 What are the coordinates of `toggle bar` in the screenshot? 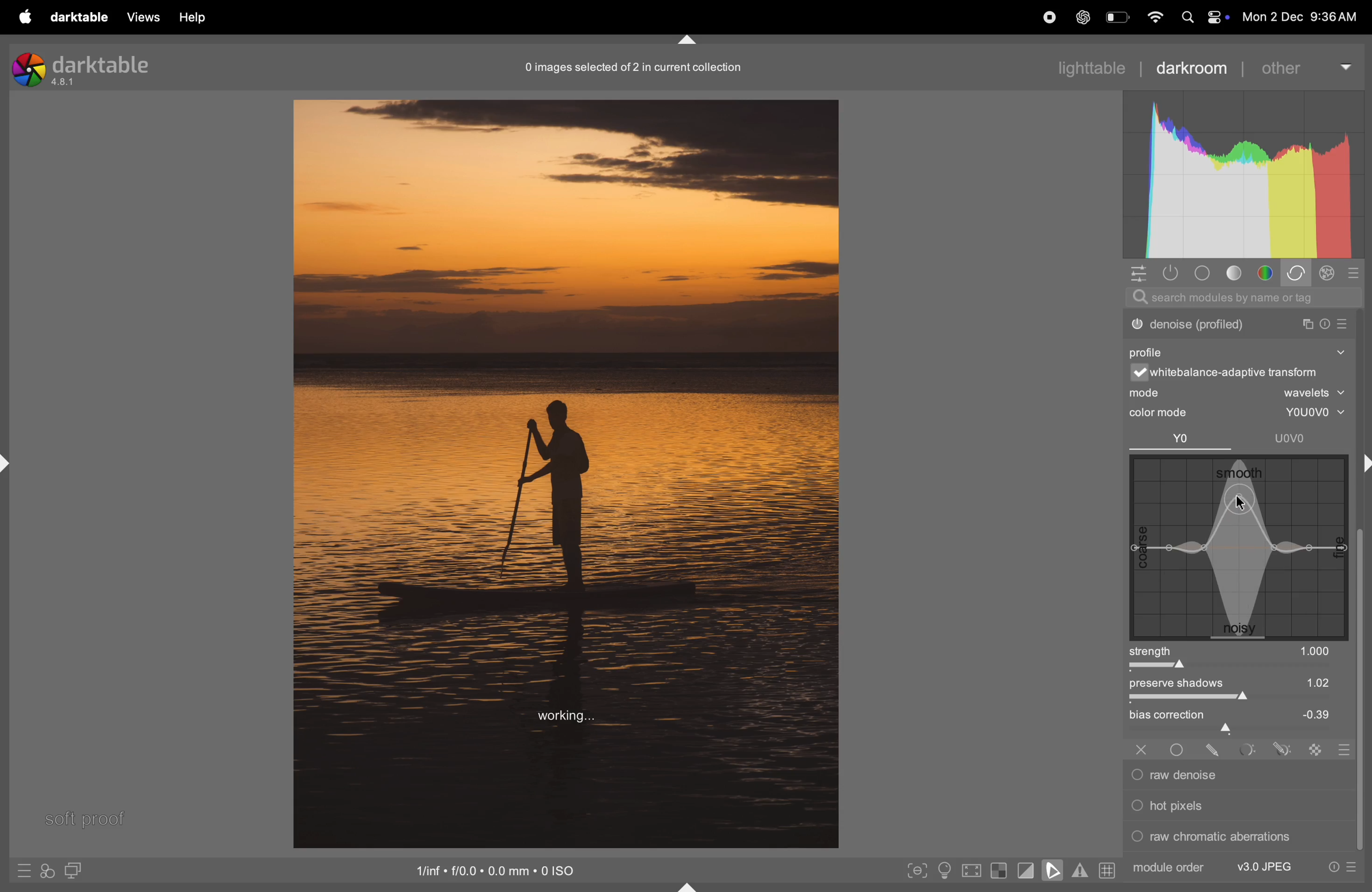 It's located at (1227, 667).